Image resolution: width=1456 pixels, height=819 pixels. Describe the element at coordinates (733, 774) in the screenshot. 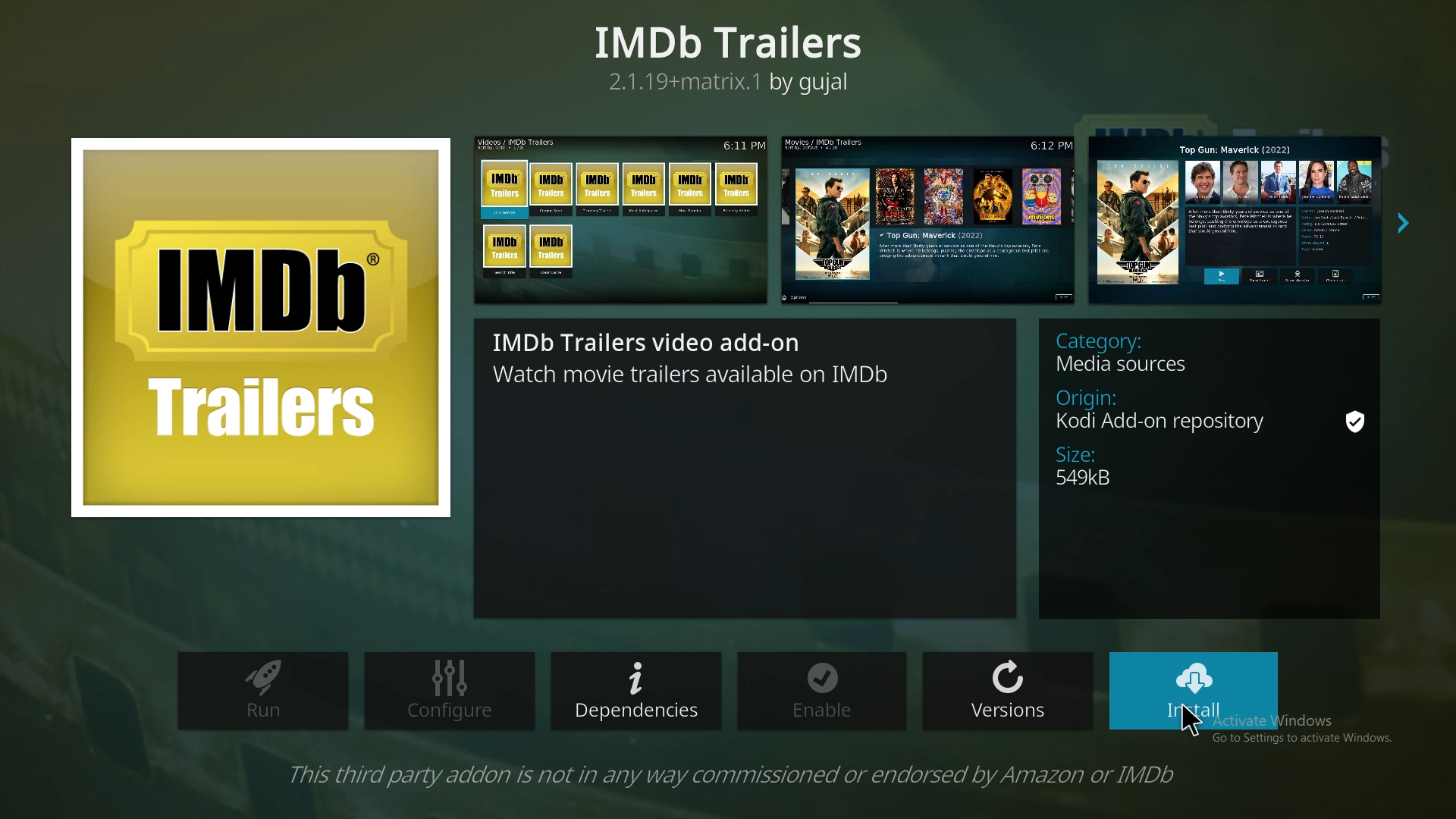

I see `info` at that location.